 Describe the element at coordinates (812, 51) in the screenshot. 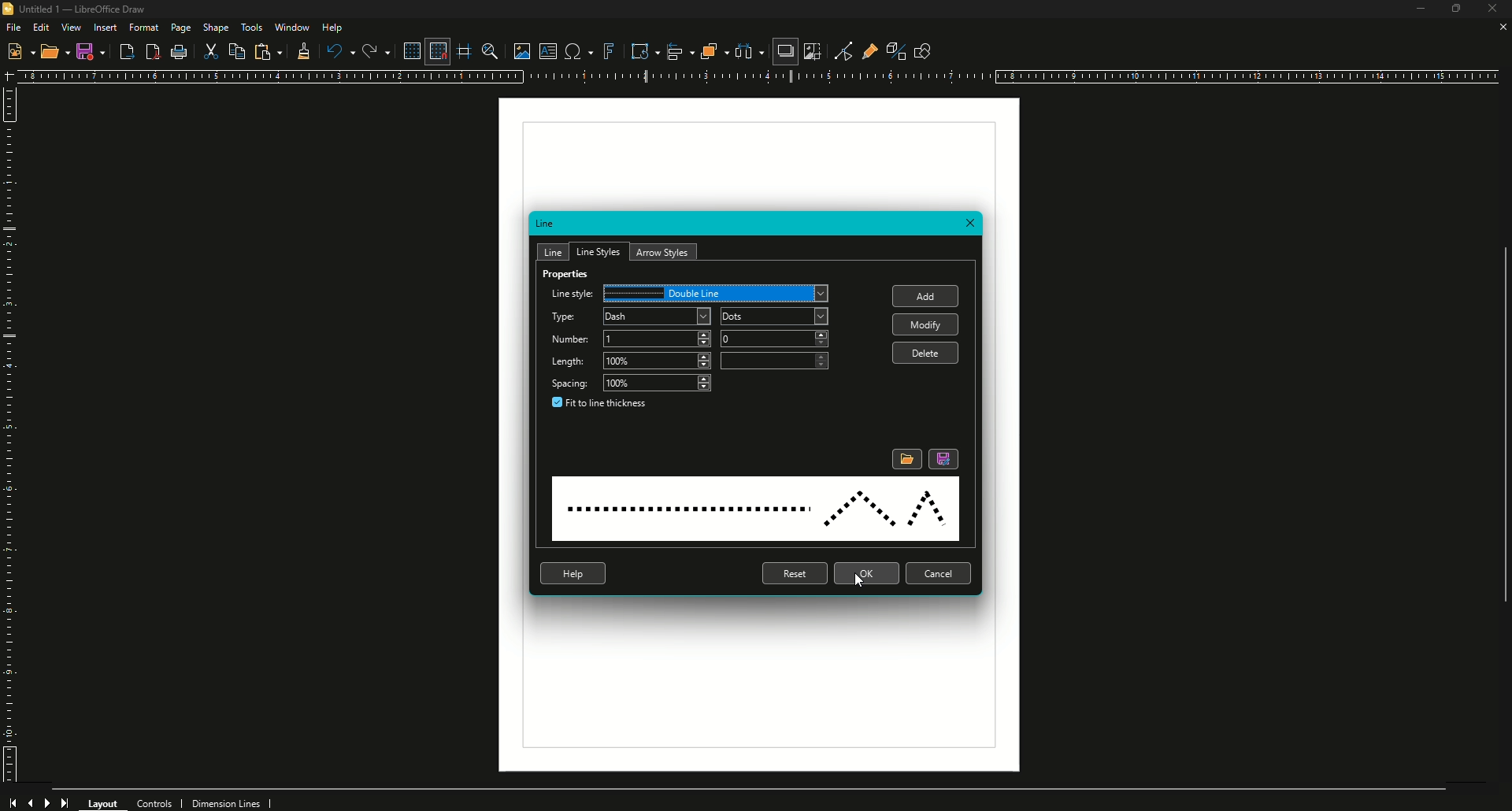

I see `Crop Image` at that location.